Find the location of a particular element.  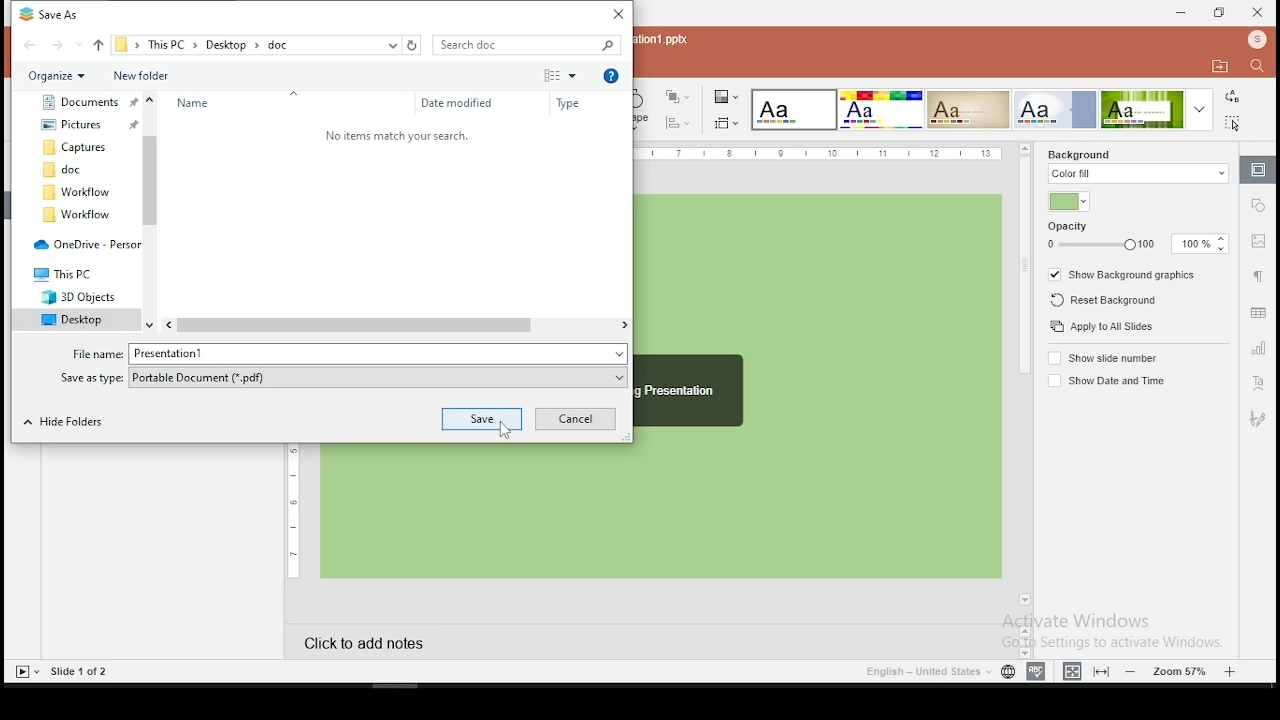

saving path is located at coordinates (247, 44).